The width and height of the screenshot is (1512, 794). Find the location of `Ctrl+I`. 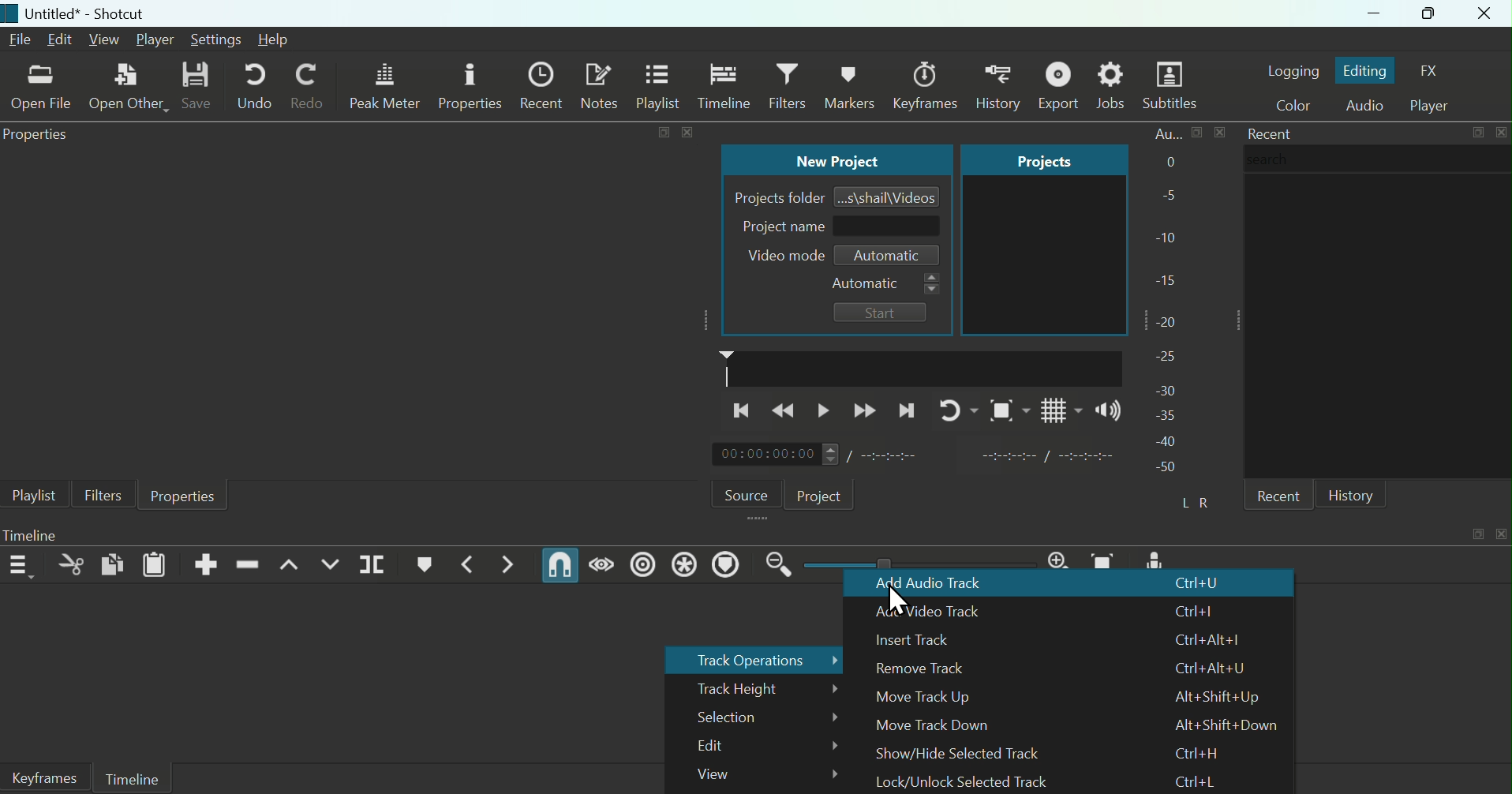

Ctrl+I is located at coordinates (1201, 612).